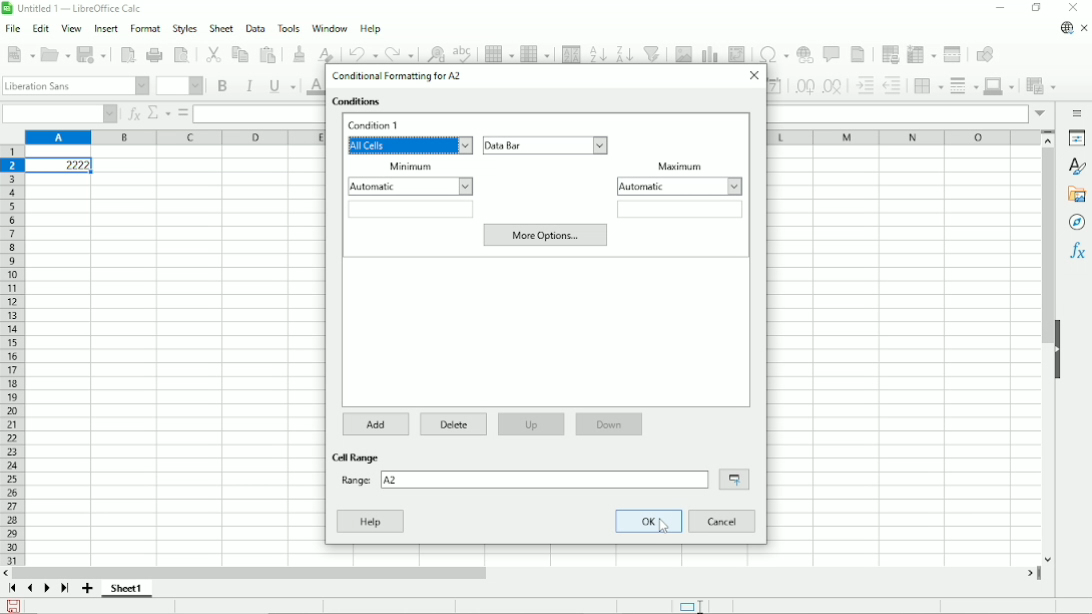 This screenshot has height=614, width=1092. Describe the element at coordinates (772, 52) in the screenshot. I see `Insert special characters` at that location.